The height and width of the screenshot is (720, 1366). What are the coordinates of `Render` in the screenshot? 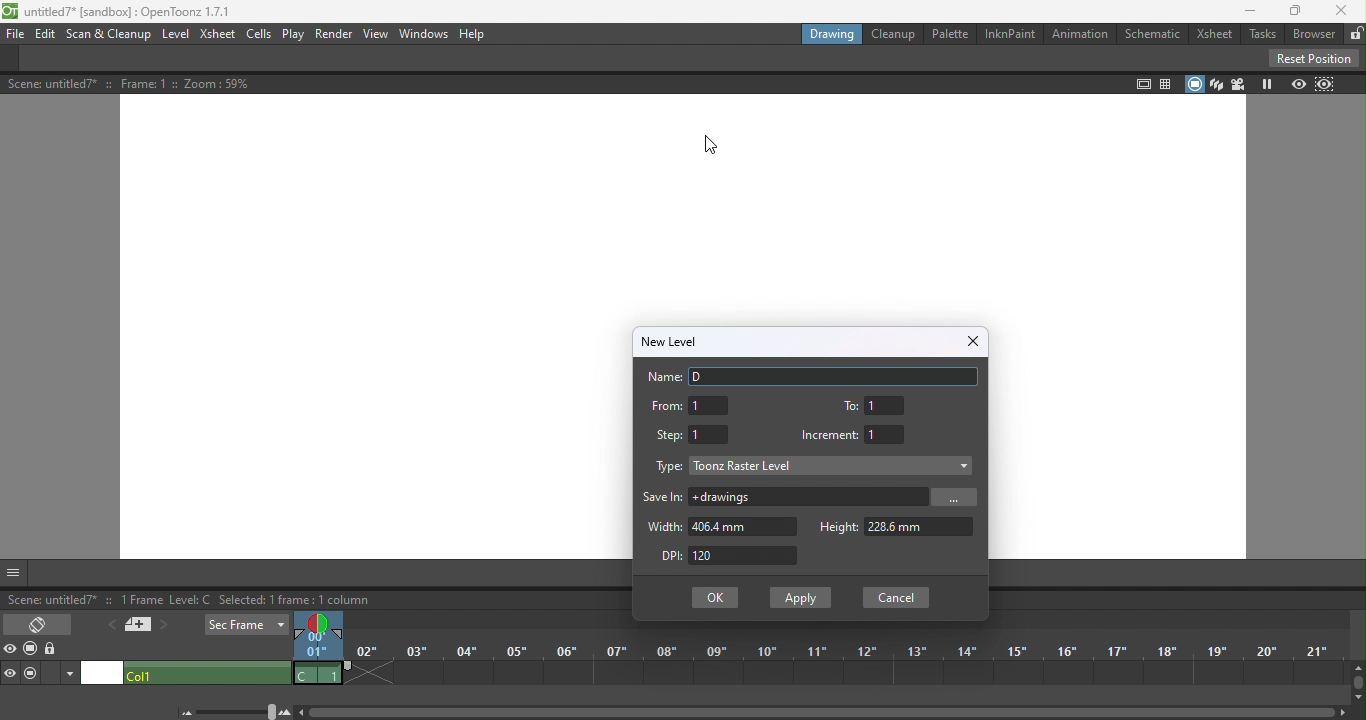 It's located at (333, 34).